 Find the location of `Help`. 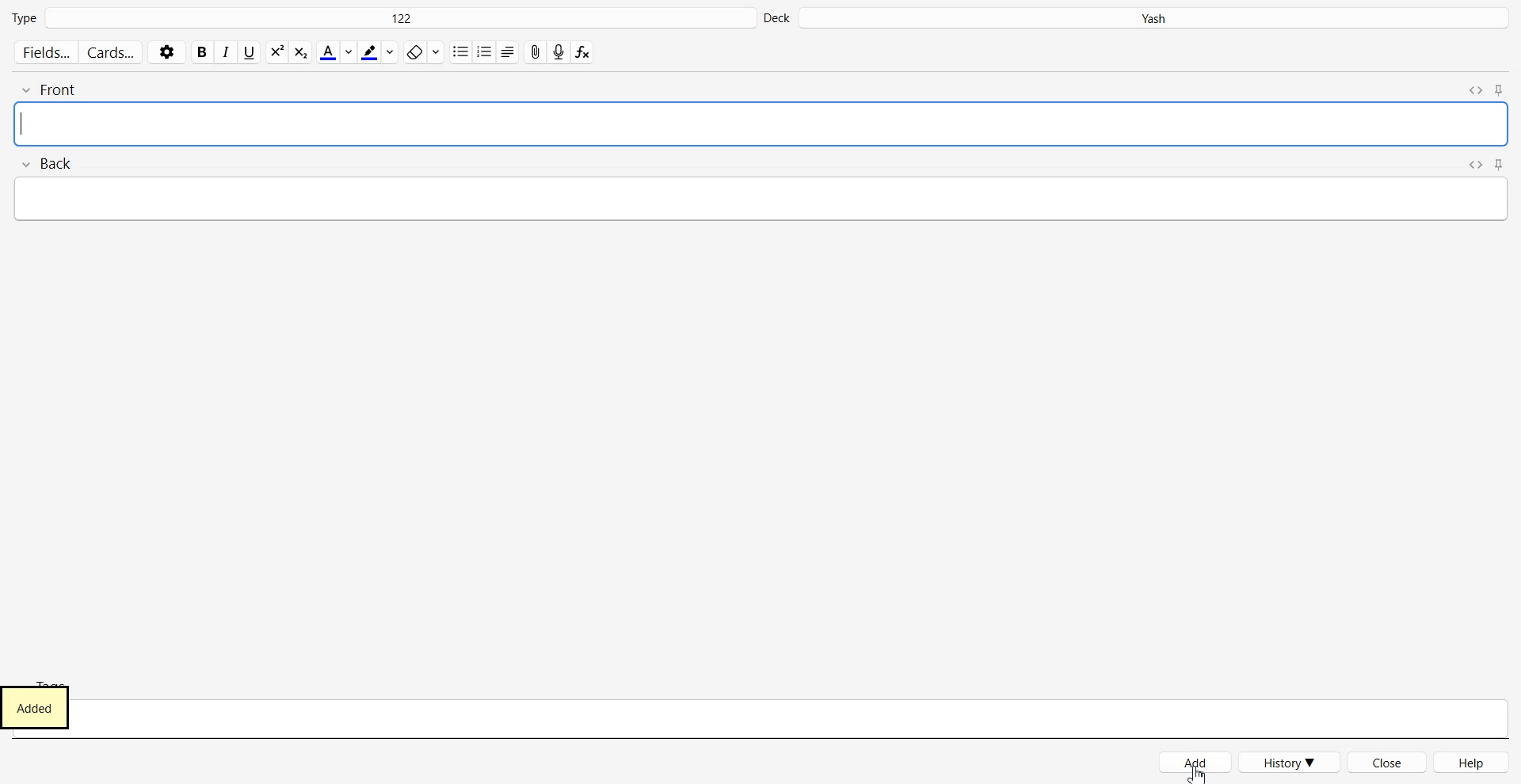

Help is located at coordinates (1473, 762).